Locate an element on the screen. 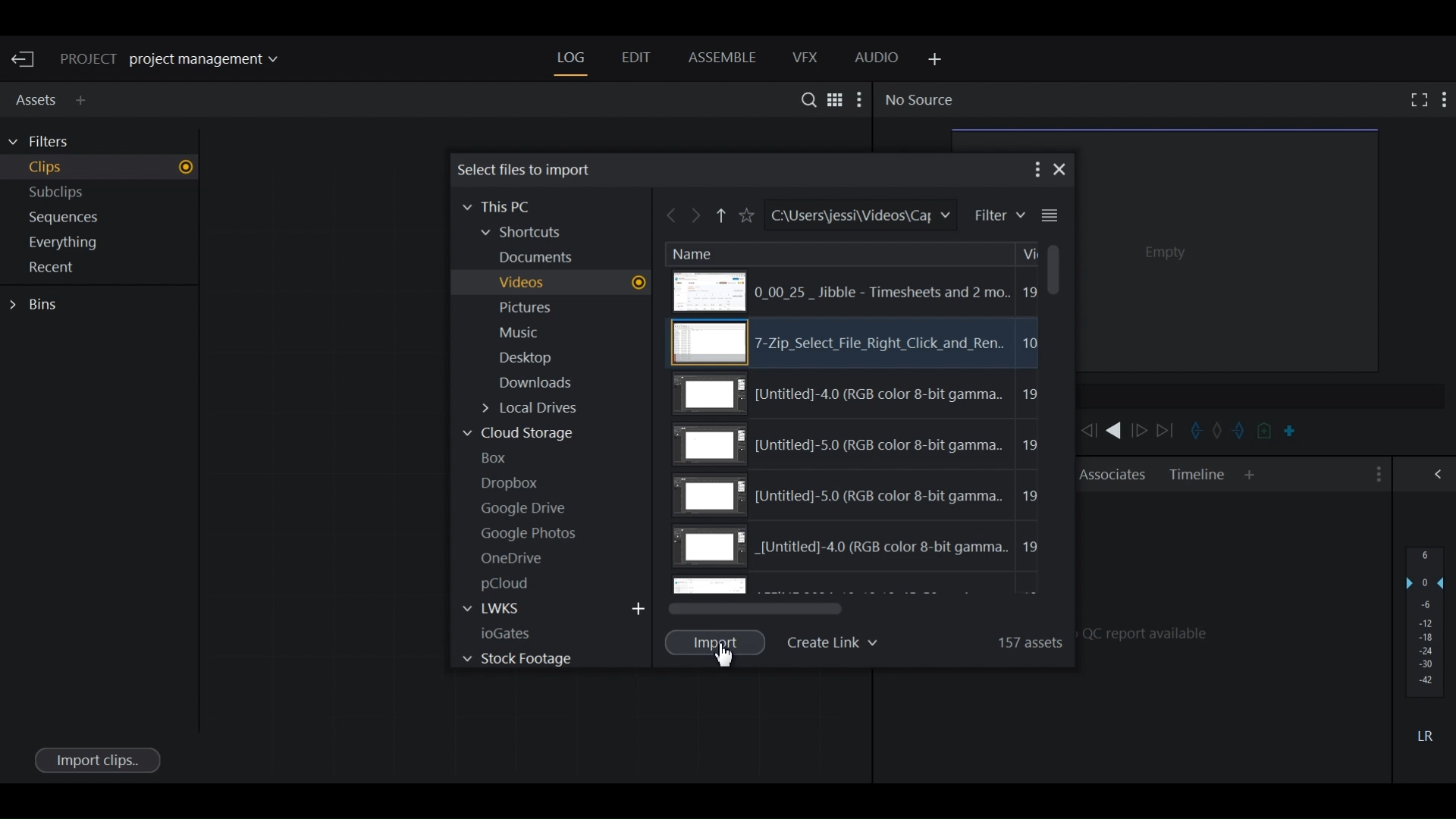 The height and width of the screenshot is (819, 1456). Pictures is located at coordinates (535, 309).